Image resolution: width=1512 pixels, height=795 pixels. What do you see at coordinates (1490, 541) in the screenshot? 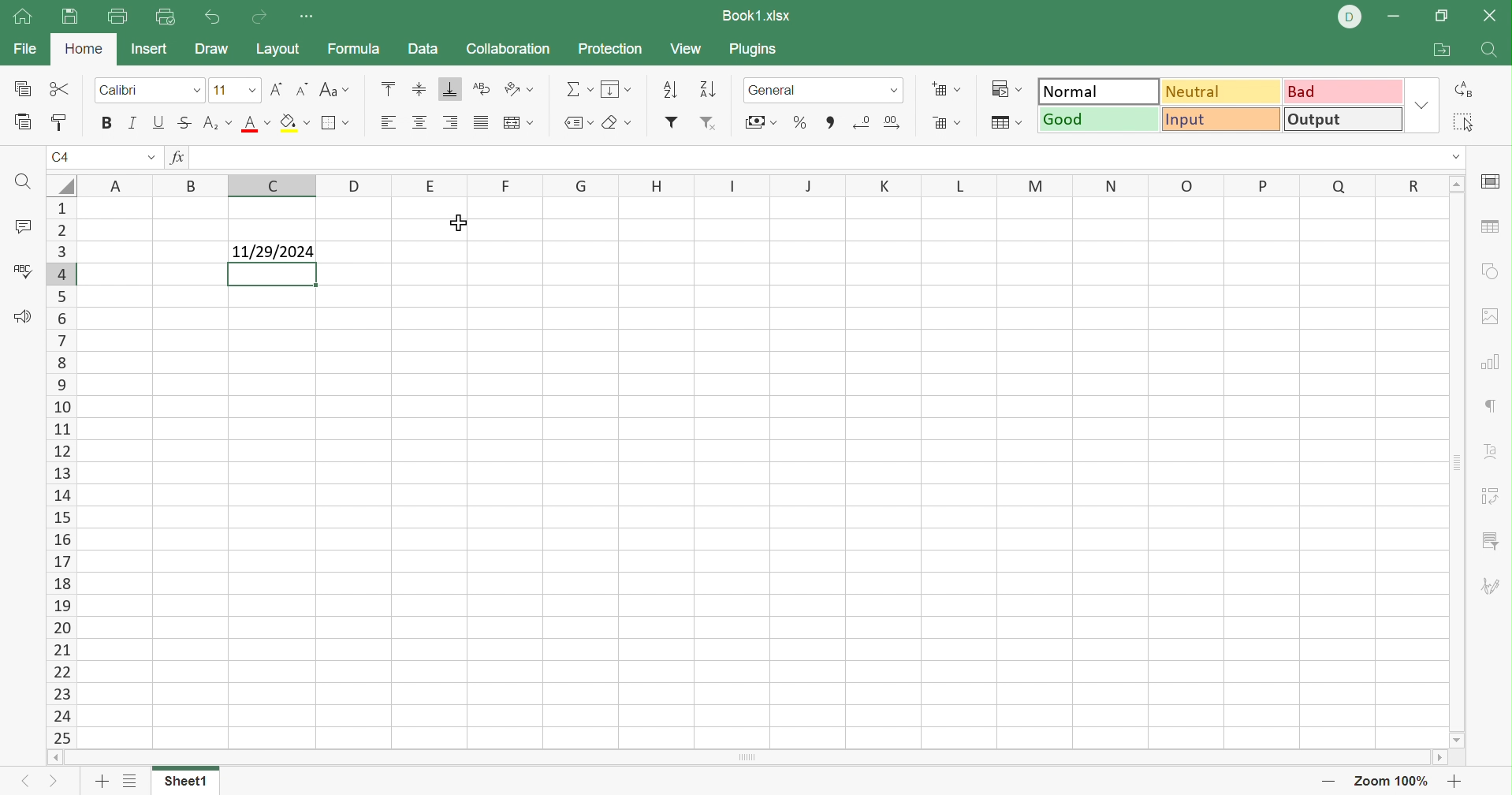
I see `Slicer settings` at bounding box center [1490, 541].